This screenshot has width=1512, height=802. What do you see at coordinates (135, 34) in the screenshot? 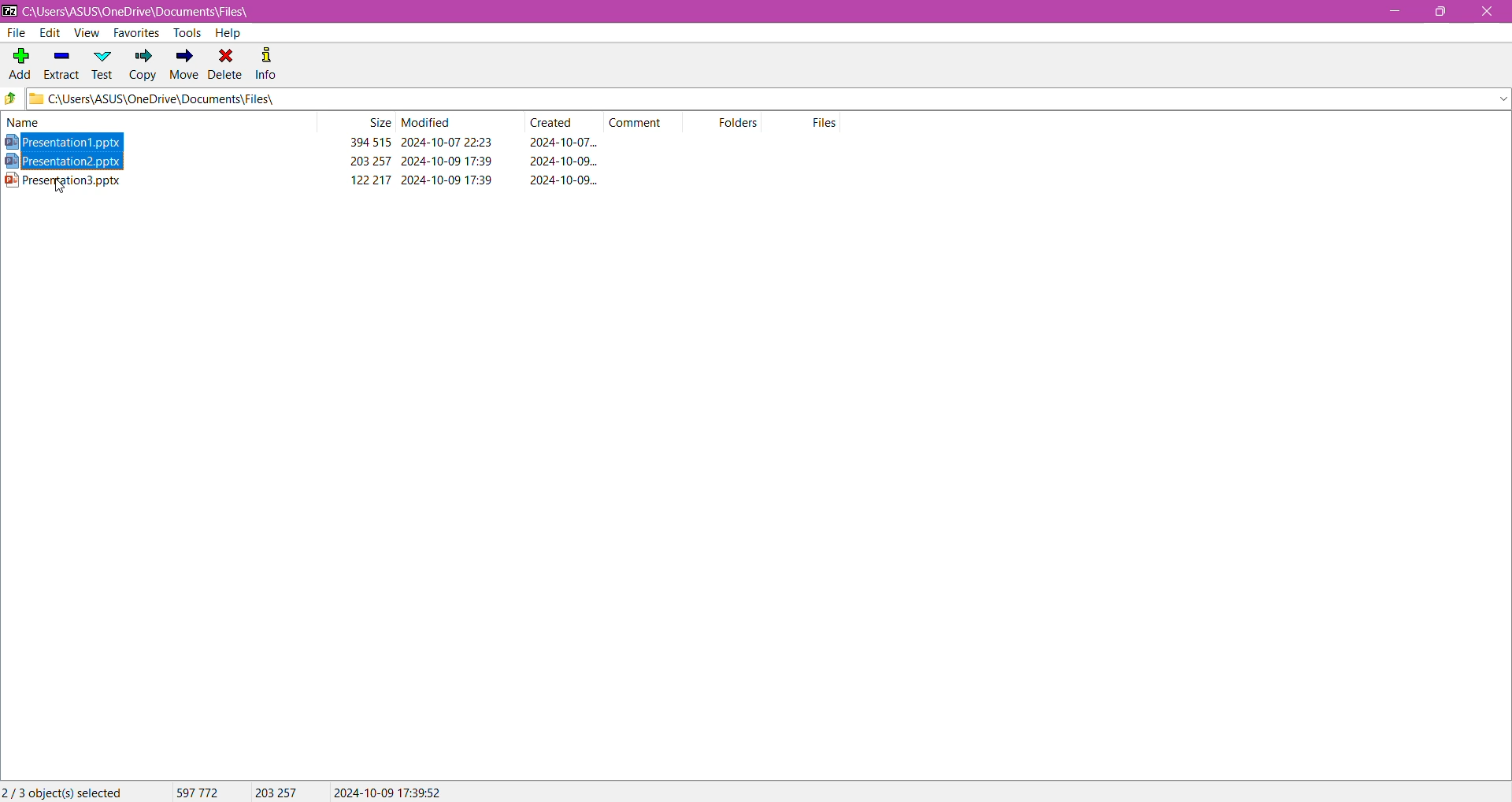
I see `Favorites` at bounding box center [135, 34].